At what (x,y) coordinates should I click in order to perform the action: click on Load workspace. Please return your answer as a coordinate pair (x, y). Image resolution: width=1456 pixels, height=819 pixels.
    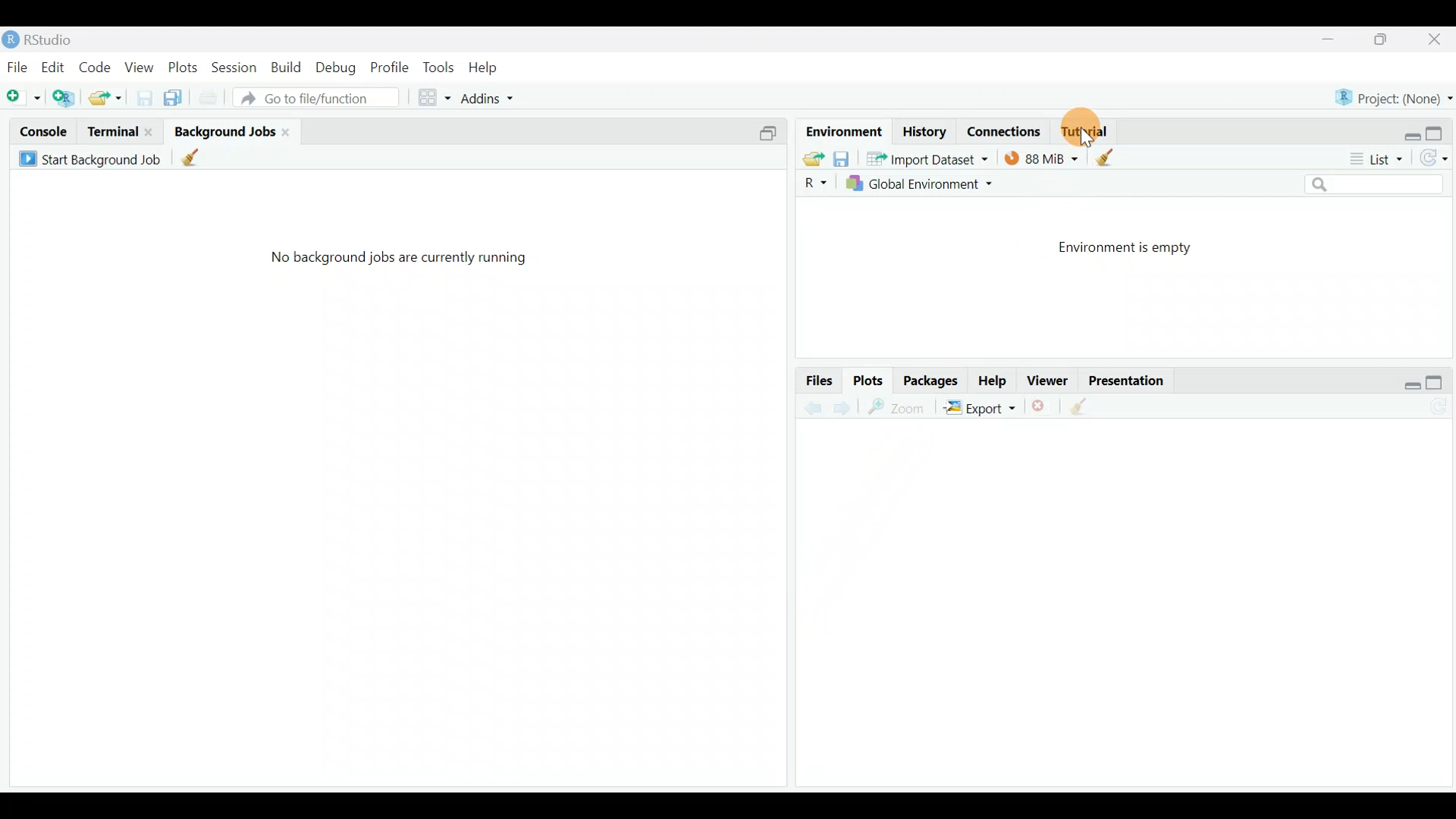
    Looking at the image, I should click on (811, 158).